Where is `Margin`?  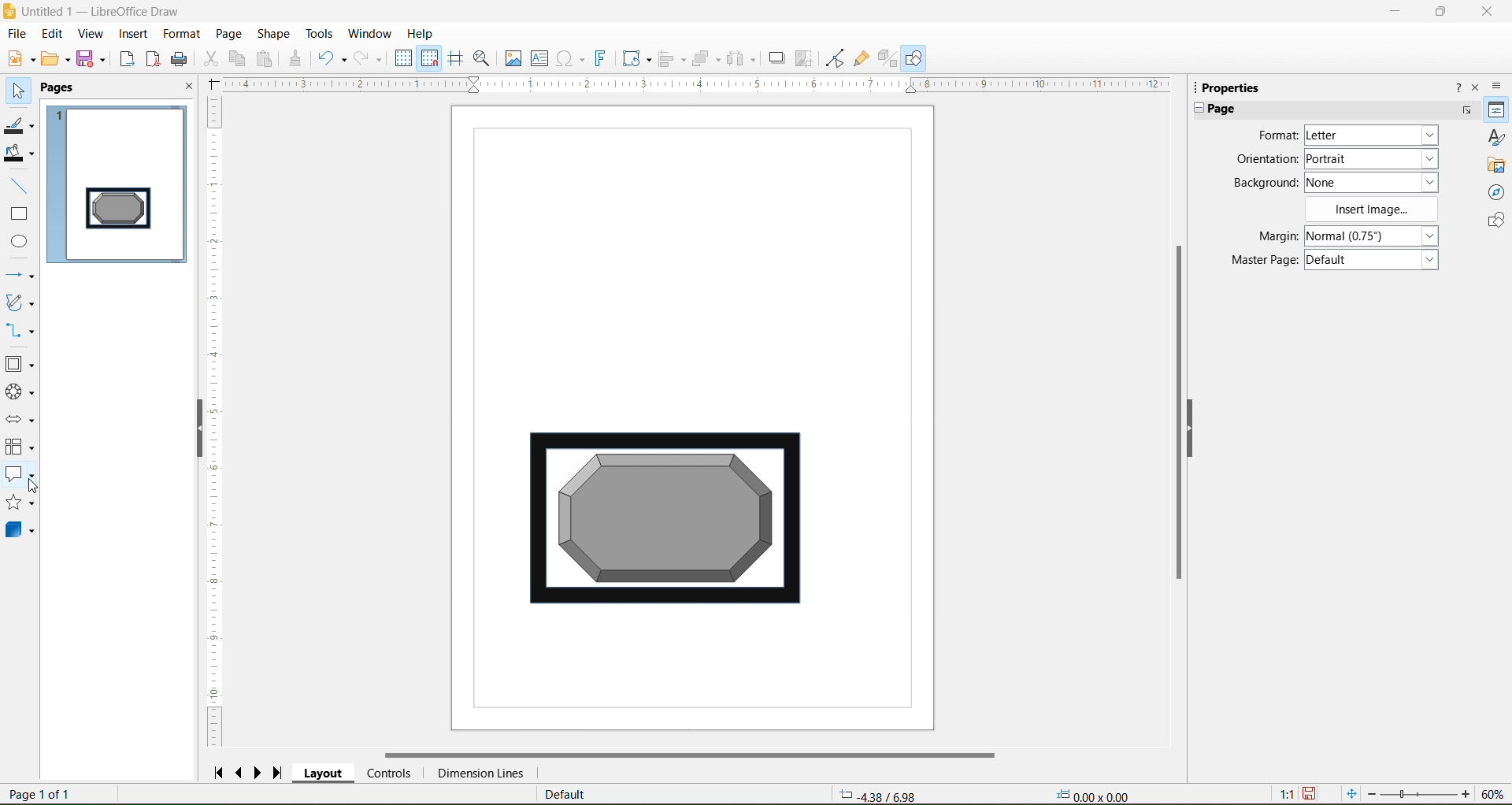 Margin is located at coordinates (1262, 236).